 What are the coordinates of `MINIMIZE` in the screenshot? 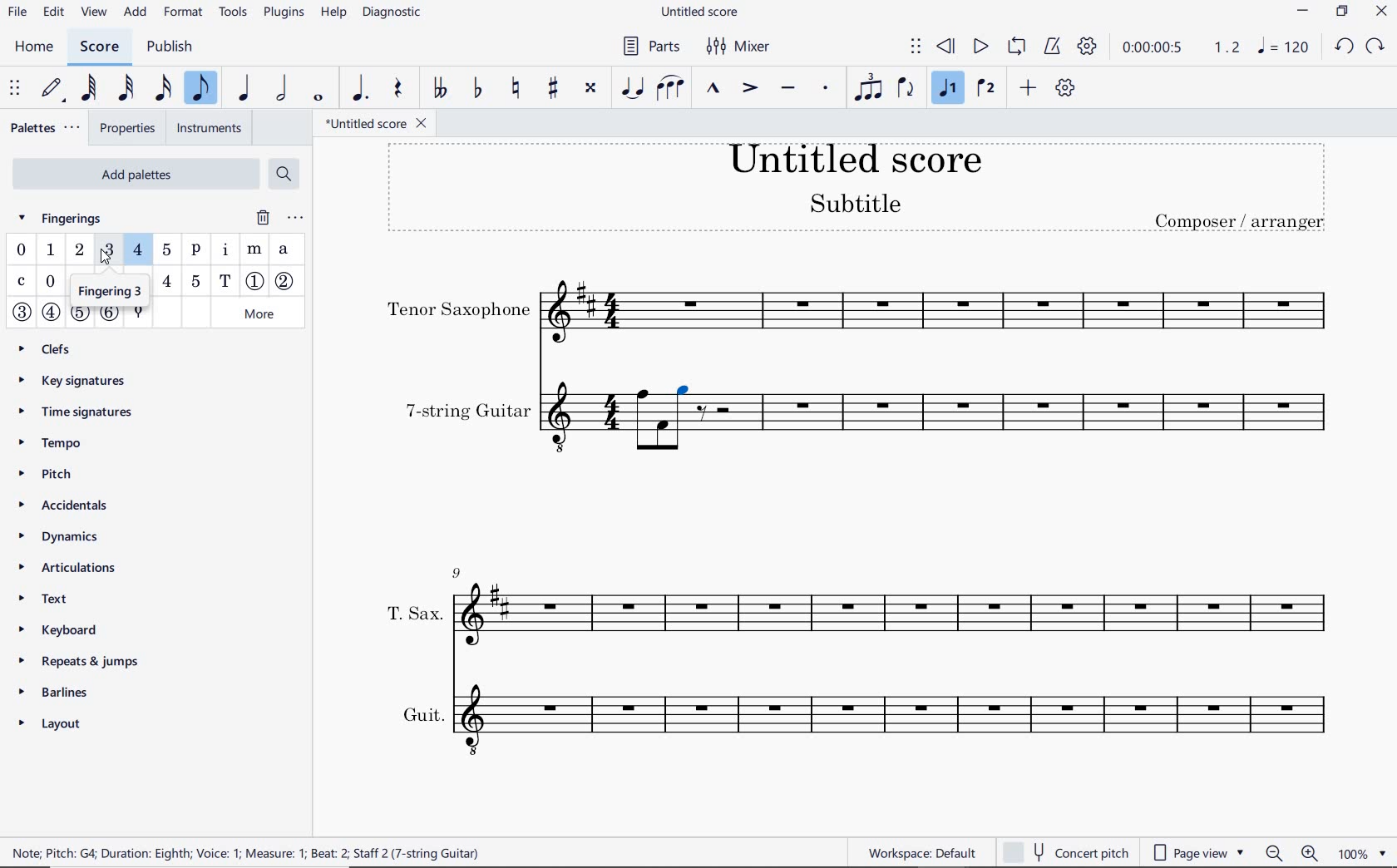 It's located at (1303, 13).